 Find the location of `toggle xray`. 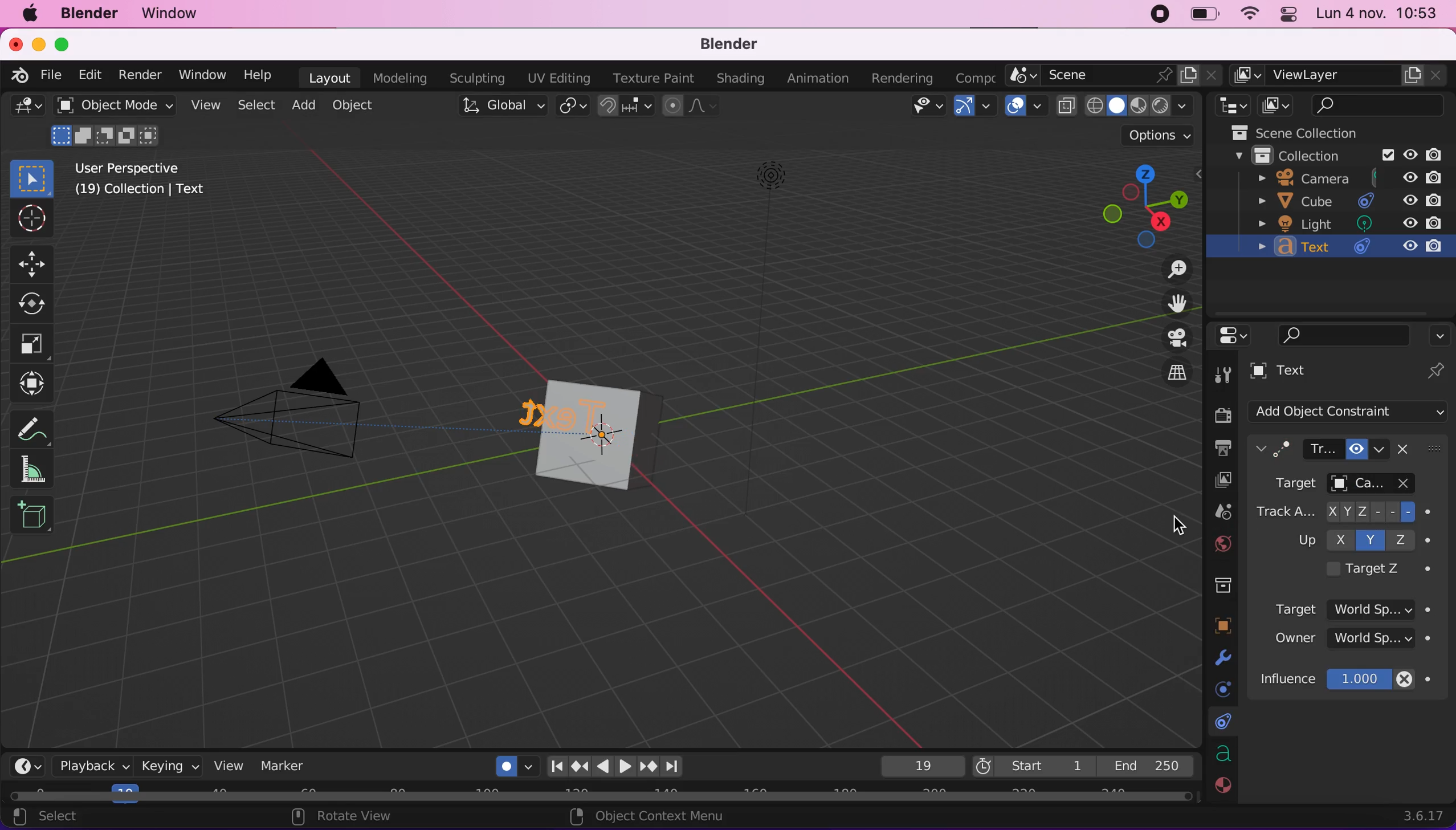

toggle xray is located at coordinates (1066, 112).